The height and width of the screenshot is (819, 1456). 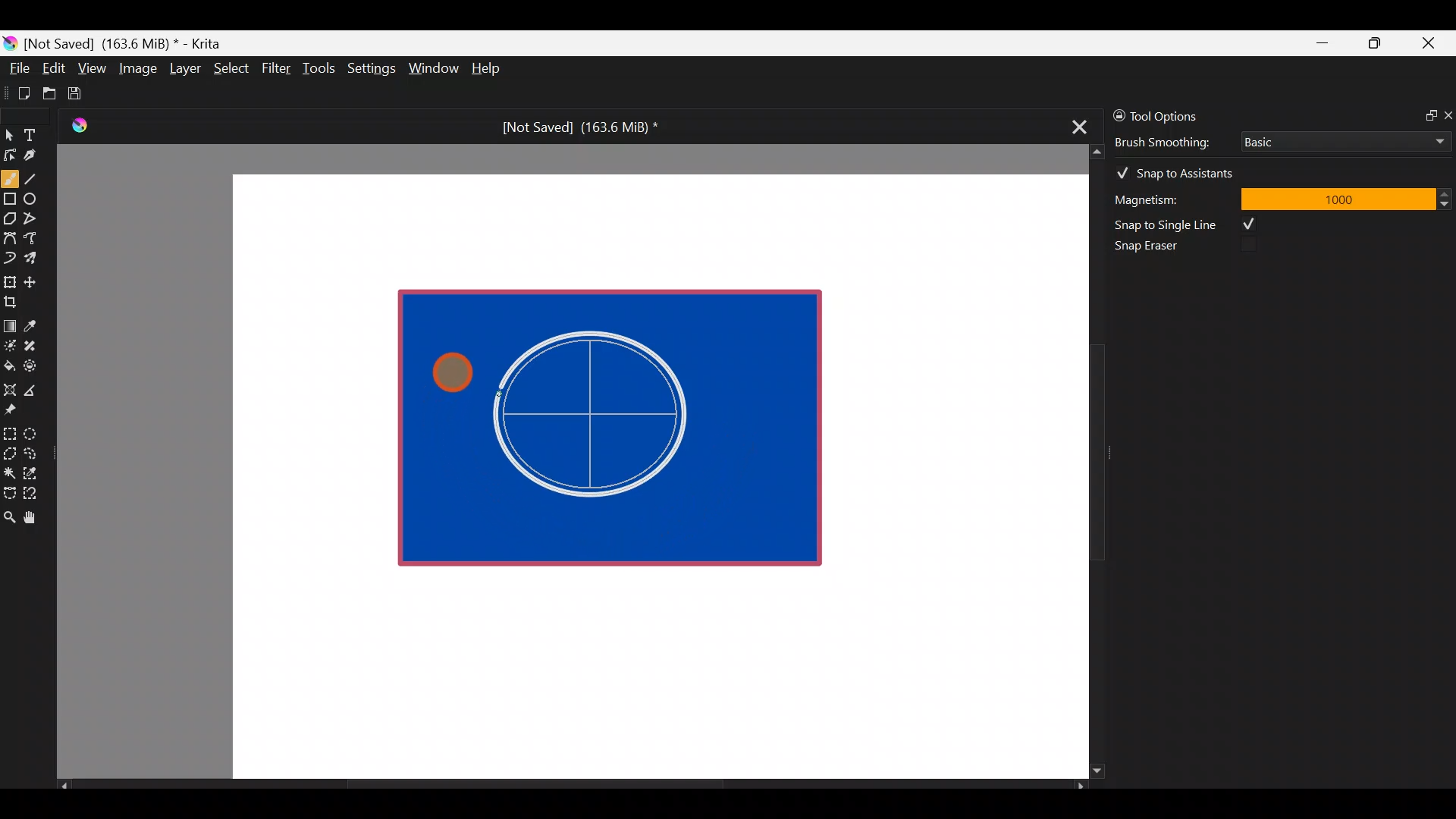 I want to click on Polygon tool, so click(x=9, y=219).